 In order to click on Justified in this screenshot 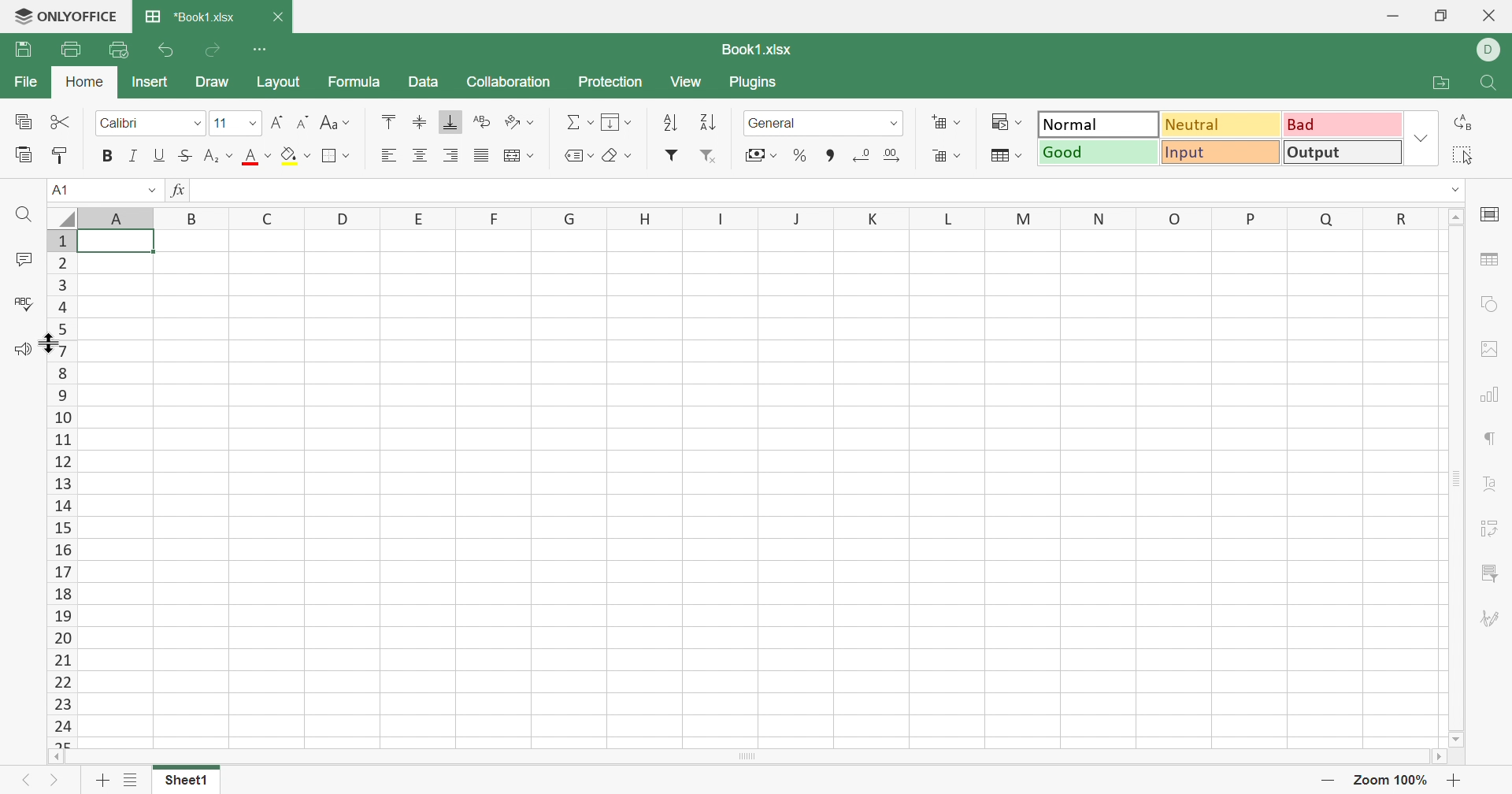, I will do `click(481, 155)`.